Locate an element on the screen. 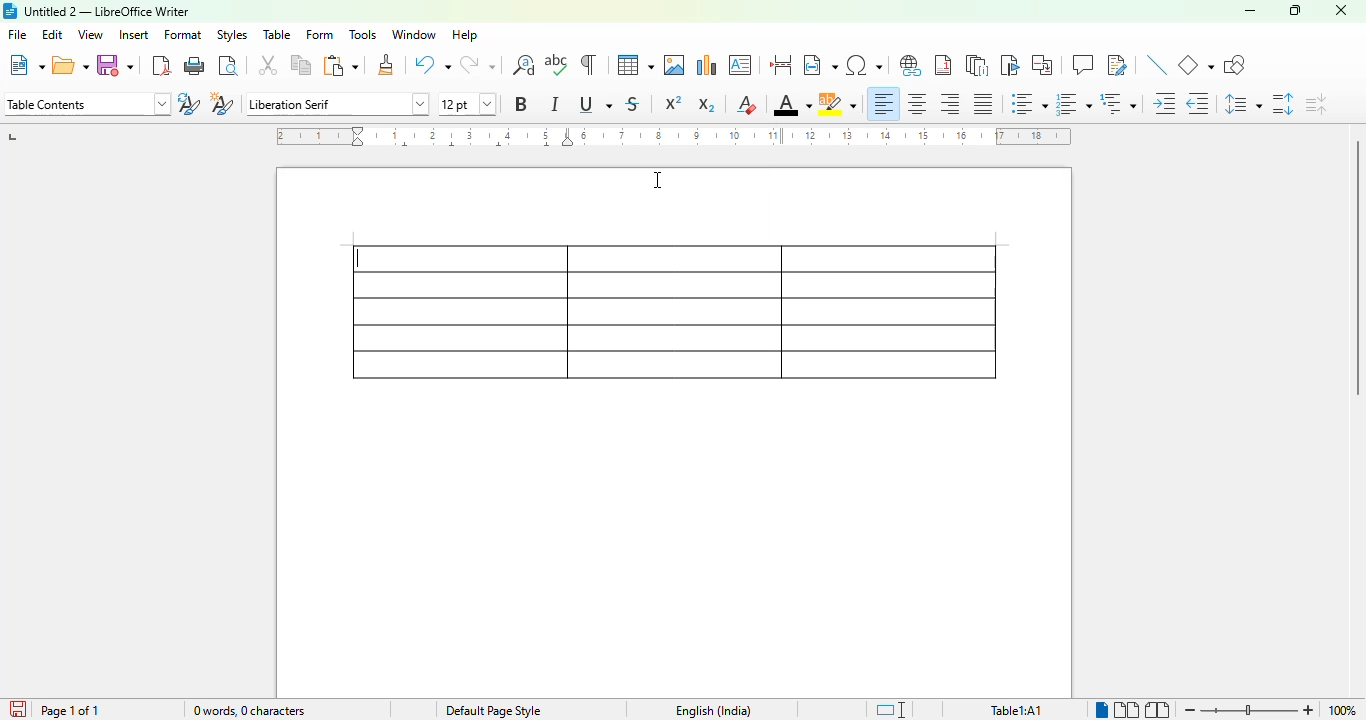  open is located at coordinates (71, 64).